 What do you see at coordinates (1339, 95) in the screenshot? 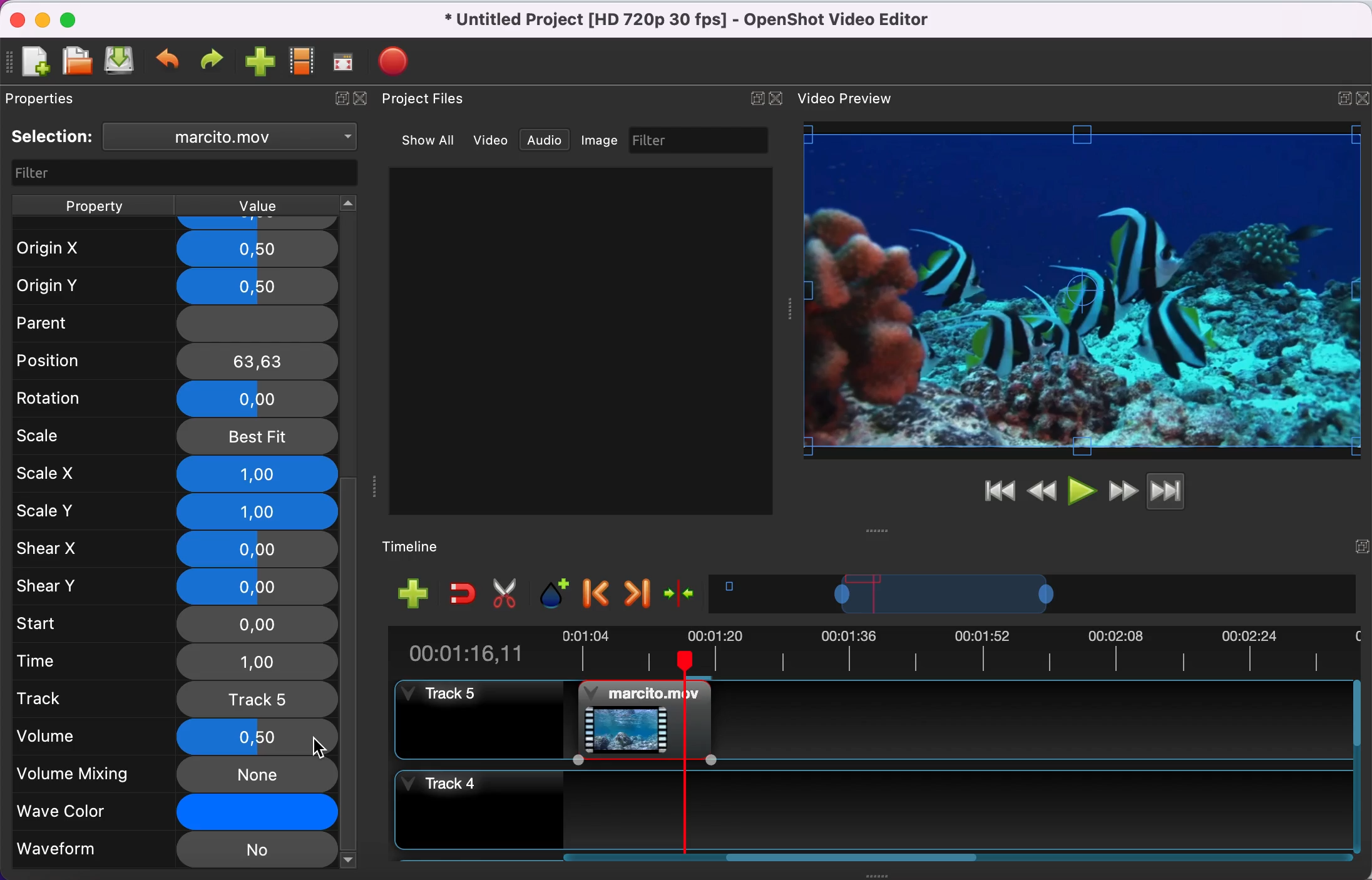
I see `maximize` at bounding box center [1339, 95].